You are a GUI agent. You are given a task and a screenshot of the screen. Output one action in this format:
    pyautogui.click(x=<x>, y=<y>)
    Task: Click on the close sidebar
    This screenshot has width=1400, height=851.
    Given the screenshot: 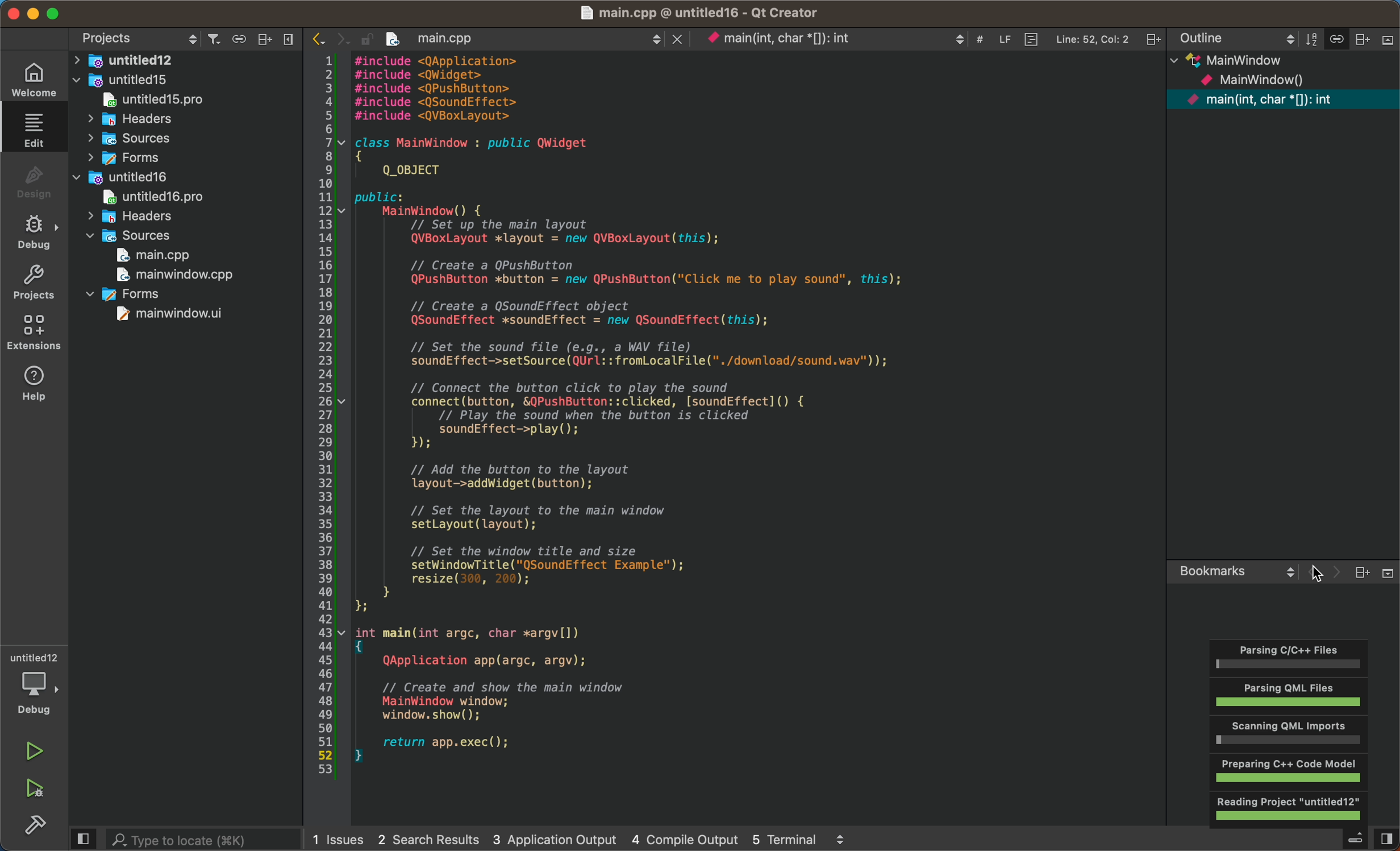 What is the action you would take?
    pyautogui.click(x=1352, y=841)
    